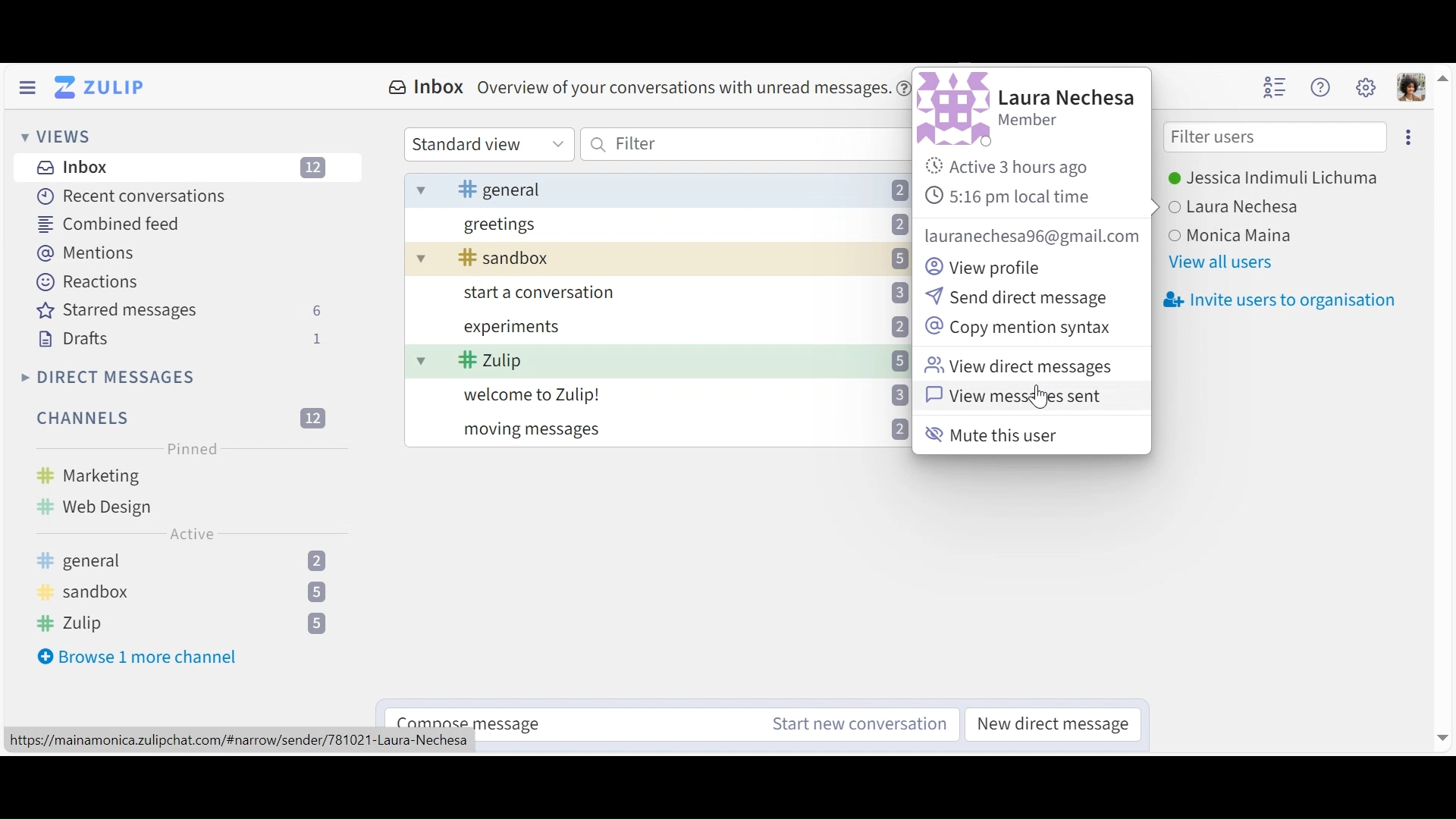 The height and width of the screenshot is (819, 1456). I want to click on Send direct messages, so click(1018, 297).